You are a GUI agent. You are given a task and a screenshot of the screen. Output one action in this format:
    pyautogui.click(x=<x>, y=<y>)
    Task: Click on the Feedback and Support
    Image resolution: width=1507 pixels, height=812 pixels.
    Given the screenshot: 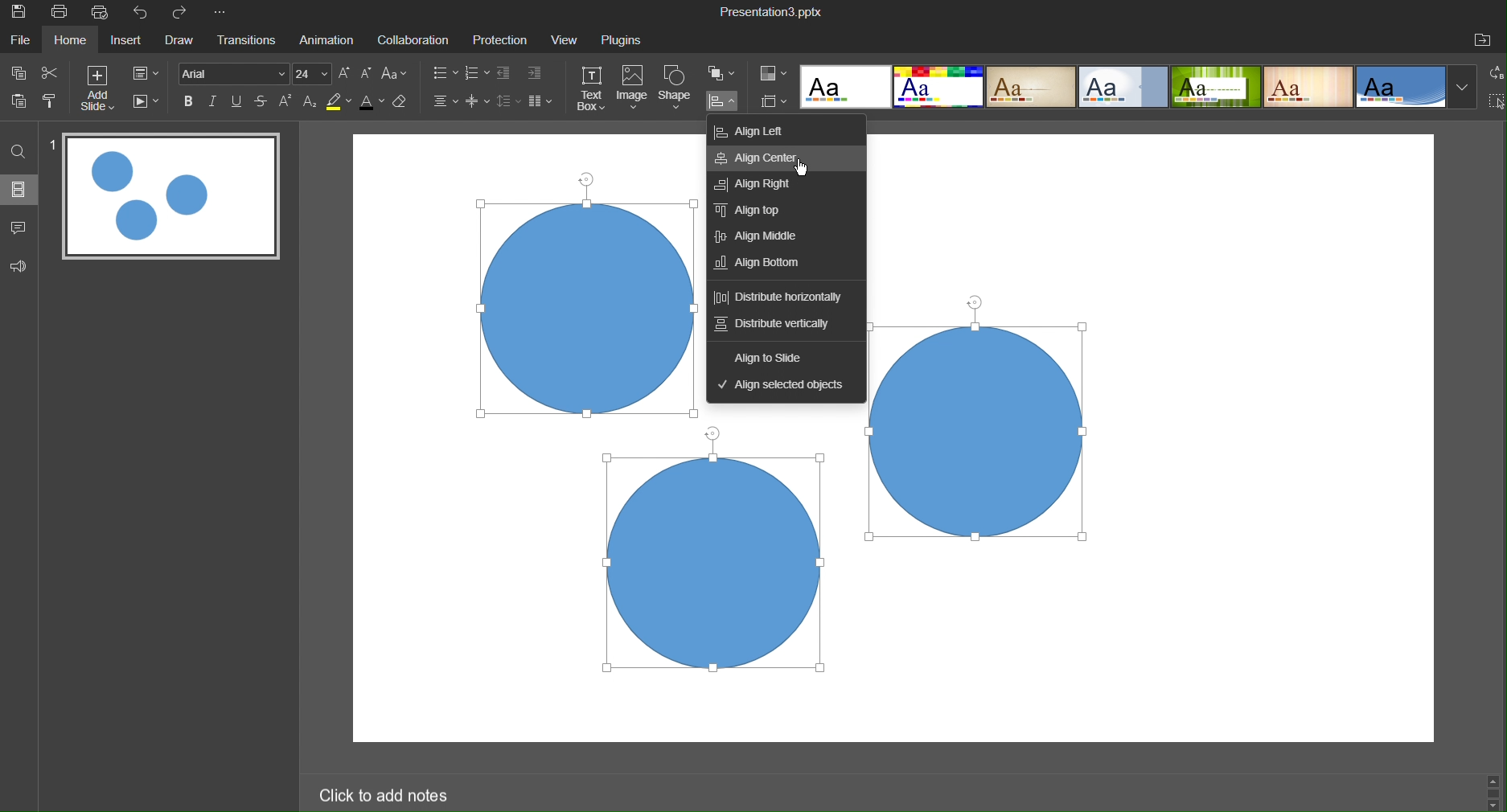 What is the action you would take?
    pyautogui.click(x=18, y=265)
    